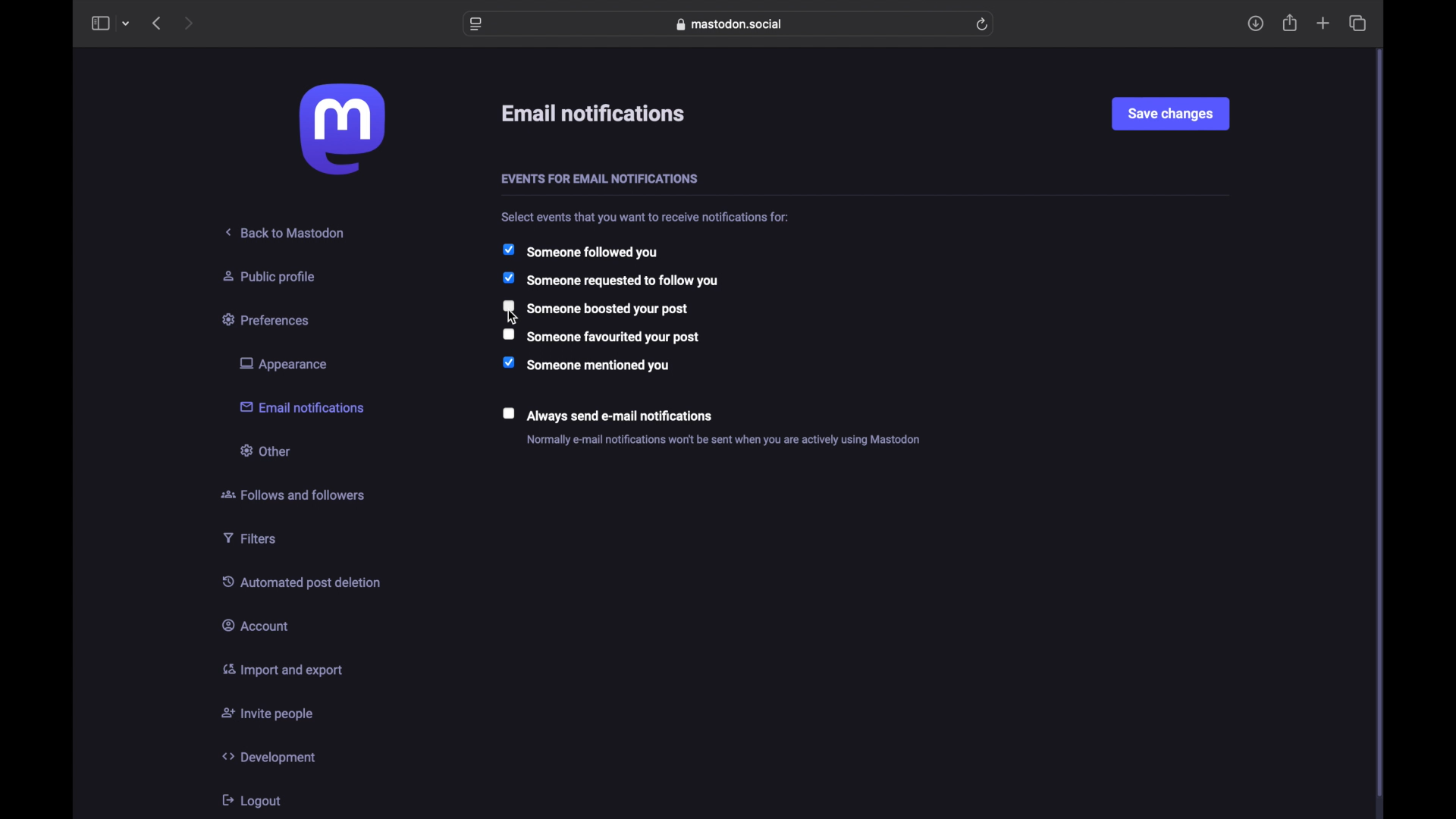  Describe the element at coordinates (190, 23) in the screenshot. I see `next` at that location.